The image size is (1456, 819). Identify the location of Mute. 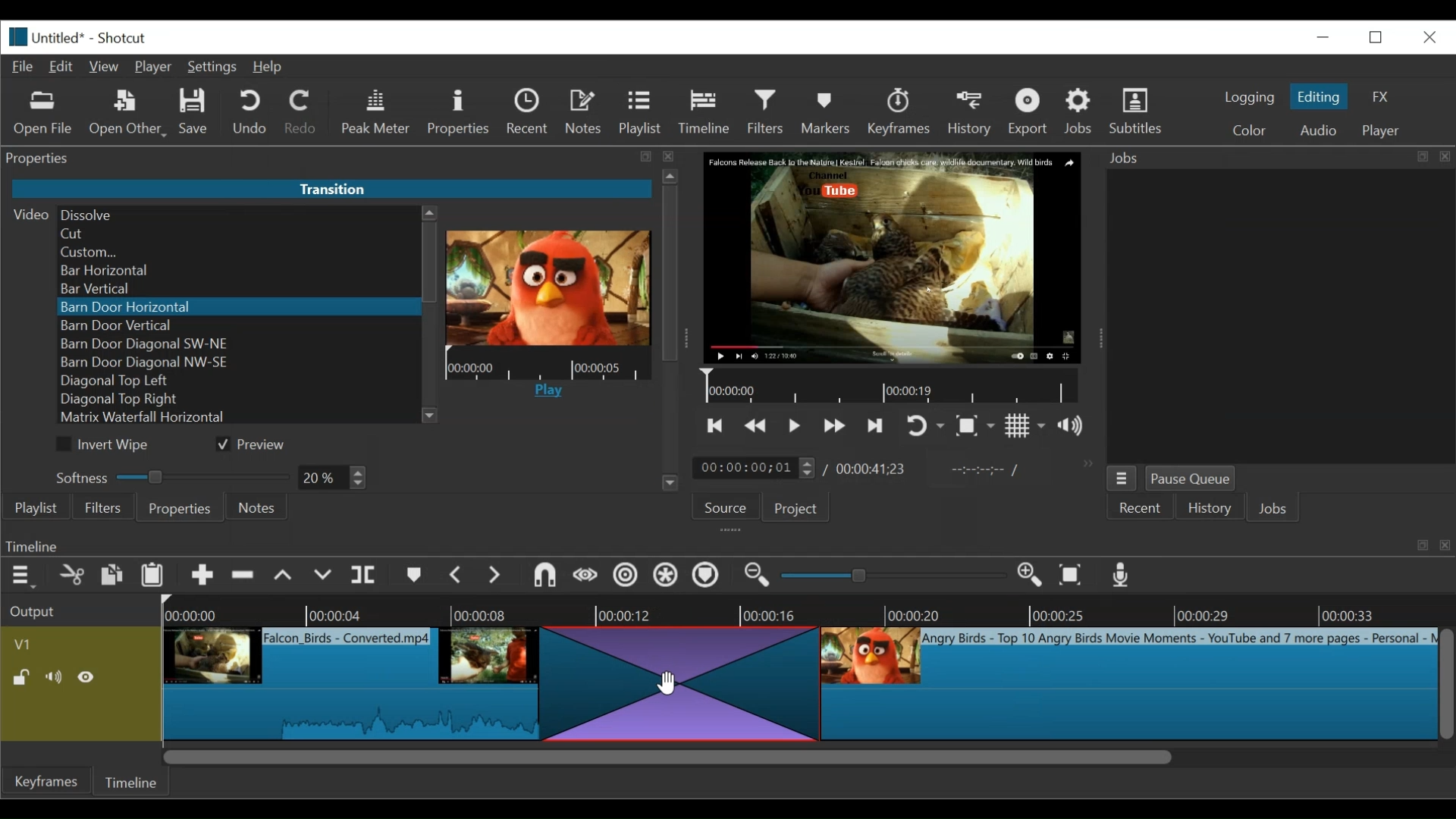
(55, 676).